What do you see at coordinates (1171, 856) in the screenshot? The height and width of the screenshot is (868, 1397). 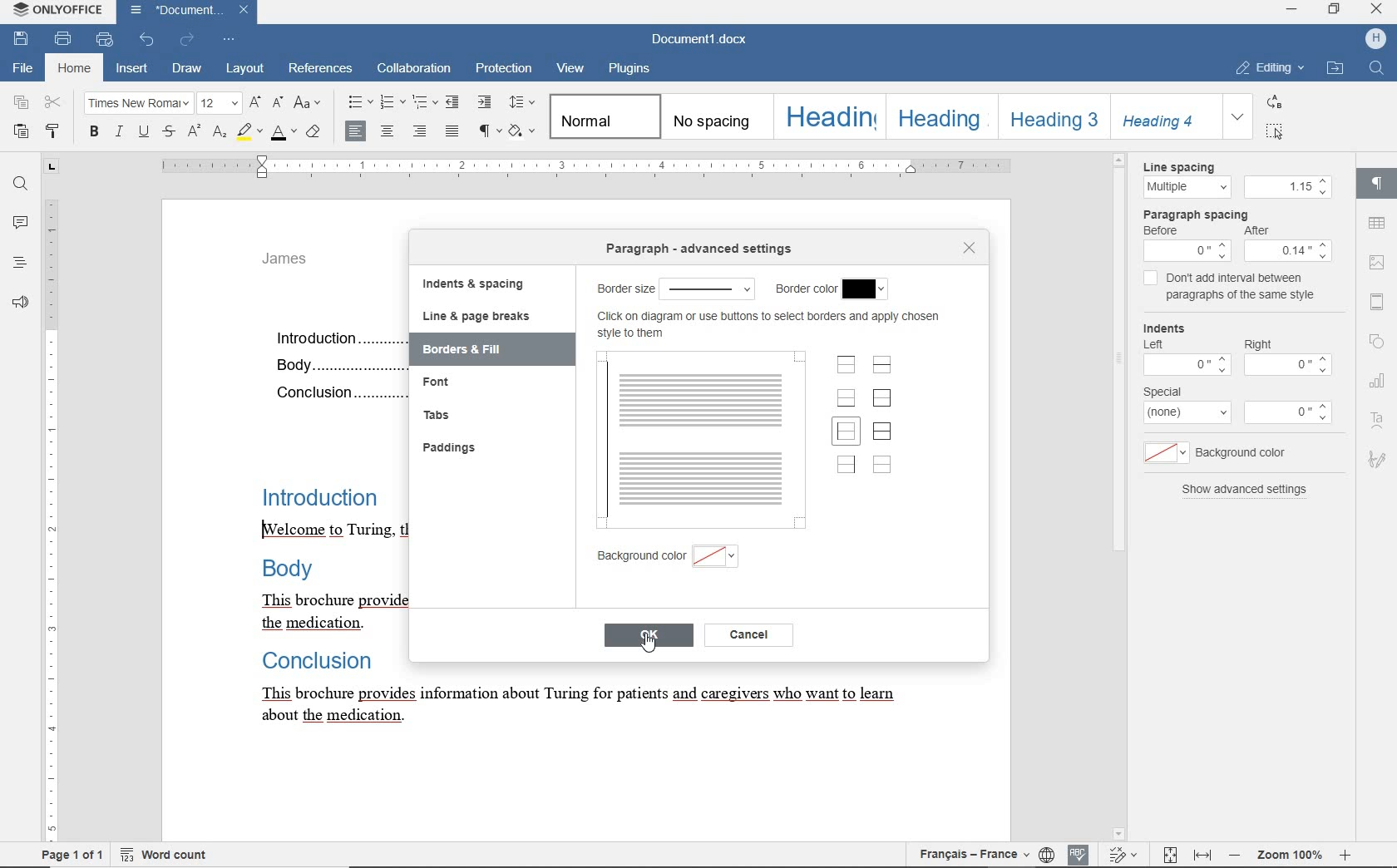 I see `track changes` at bounding box center [1171, 856].